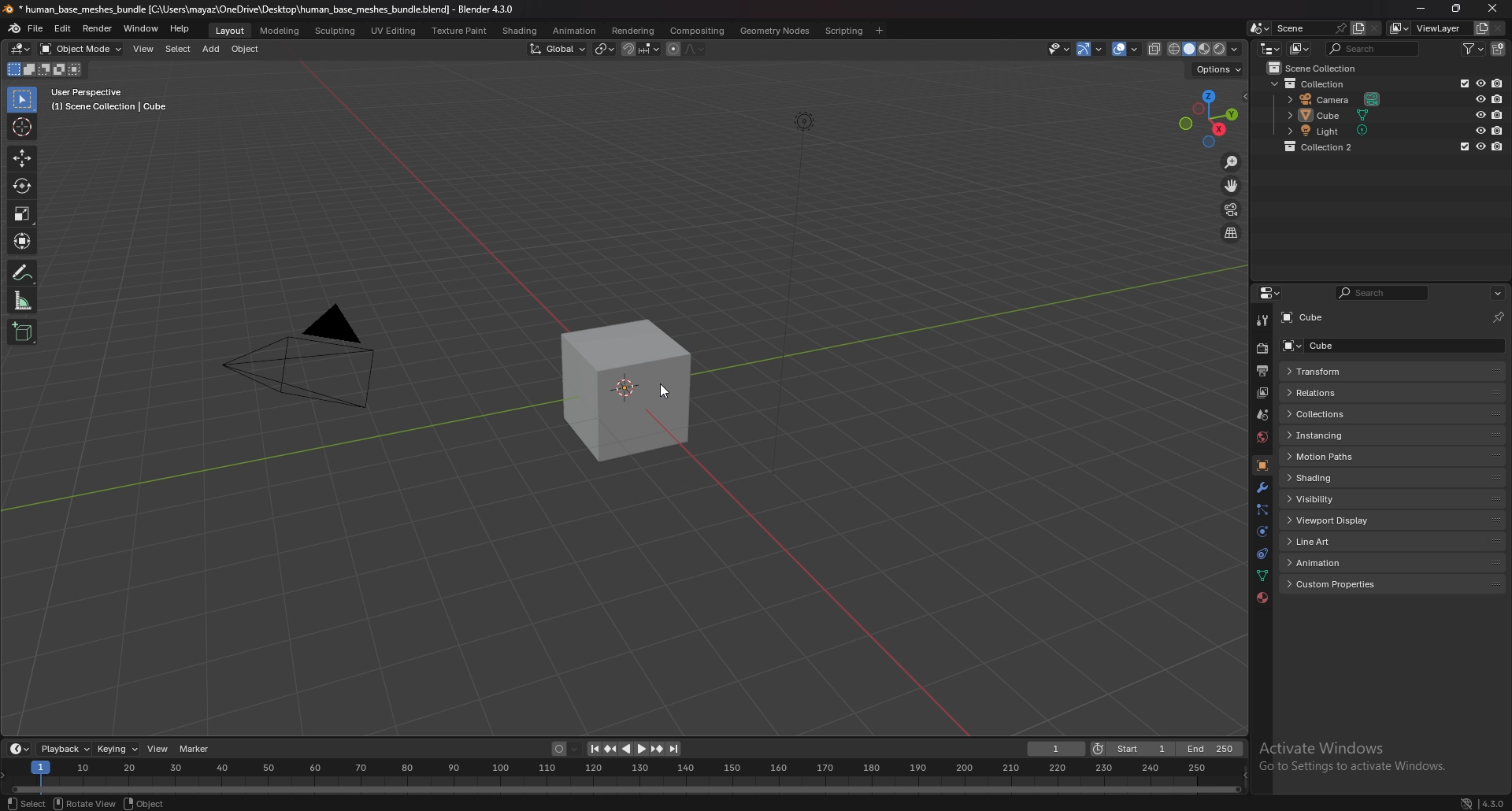 This screenshot has height=811, width=1512. What do you see at coordinates (1375, 28) in the screenshot?
I see `delete scene` at bounding box center [1375, 28].